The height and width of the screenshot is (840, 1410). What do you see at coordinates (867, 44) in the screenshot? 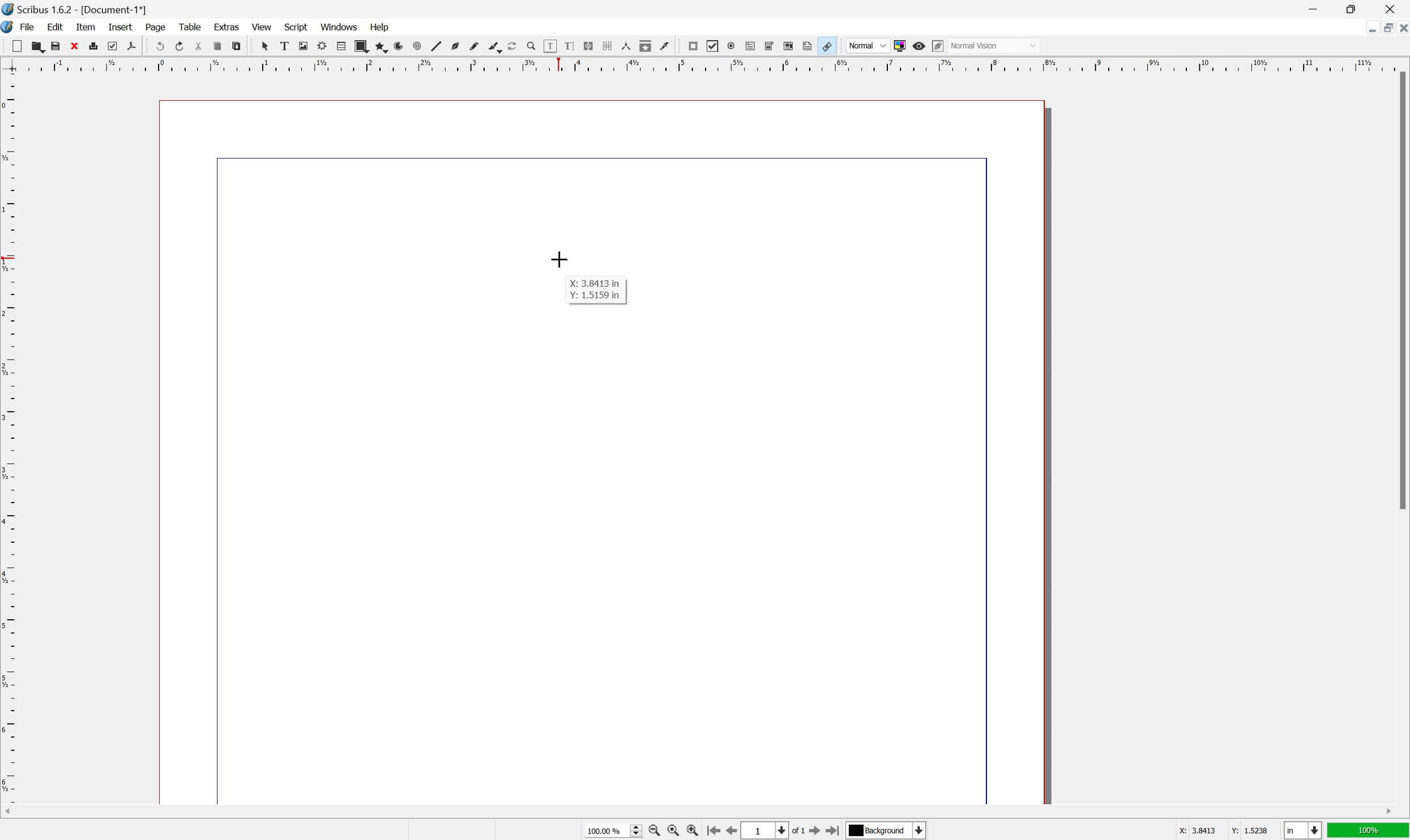
I see `normal` at bounding box center [867, 44].